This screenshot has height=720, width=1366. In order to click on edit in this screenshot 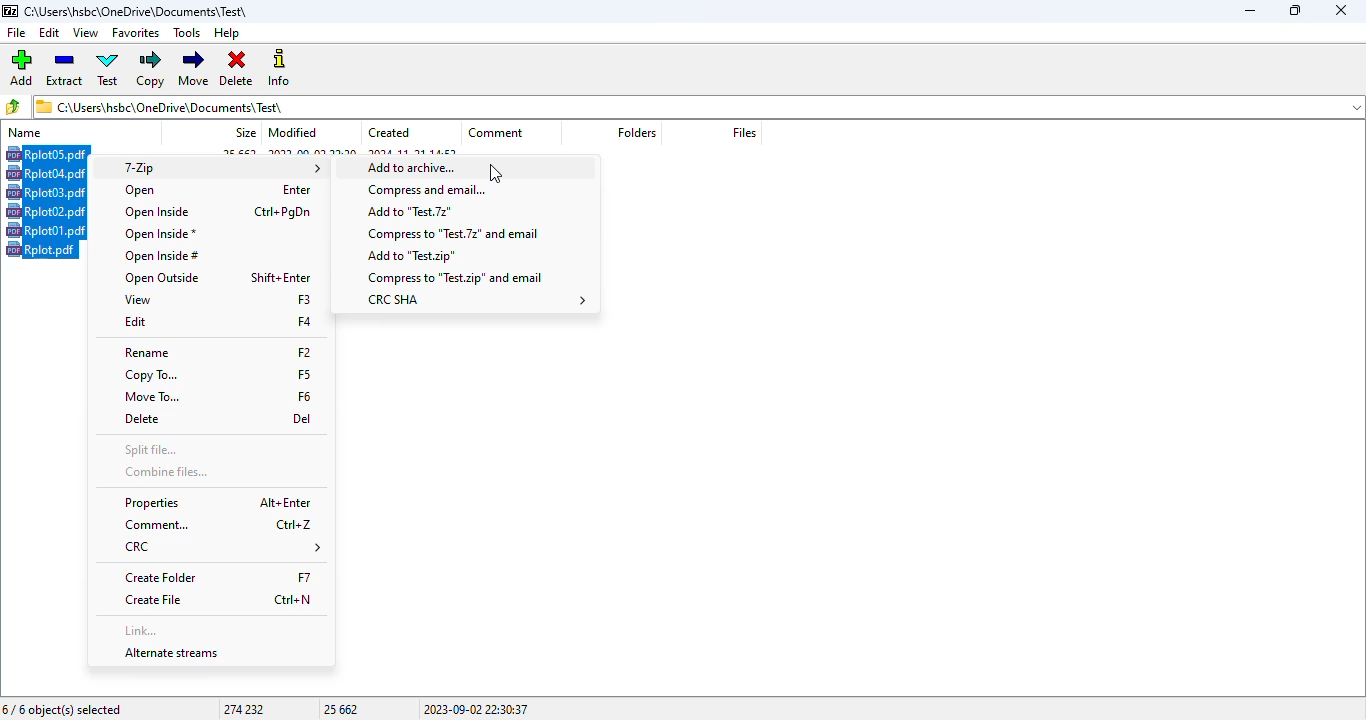, I will do `click(50, 33)`.